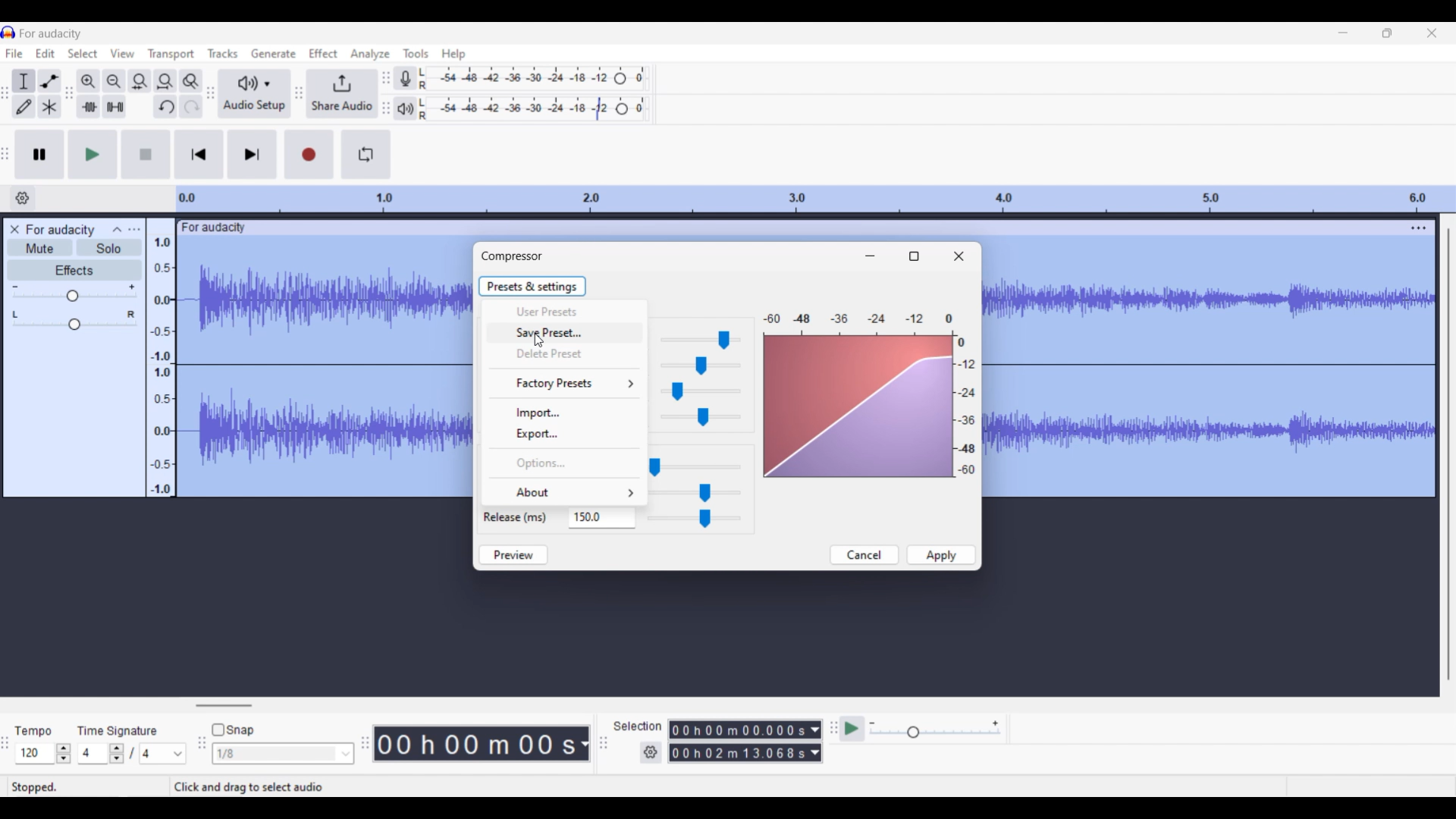  Describe the element at coordinates (698, 340) in the screenshot. I see `Threshold slider` at that location.